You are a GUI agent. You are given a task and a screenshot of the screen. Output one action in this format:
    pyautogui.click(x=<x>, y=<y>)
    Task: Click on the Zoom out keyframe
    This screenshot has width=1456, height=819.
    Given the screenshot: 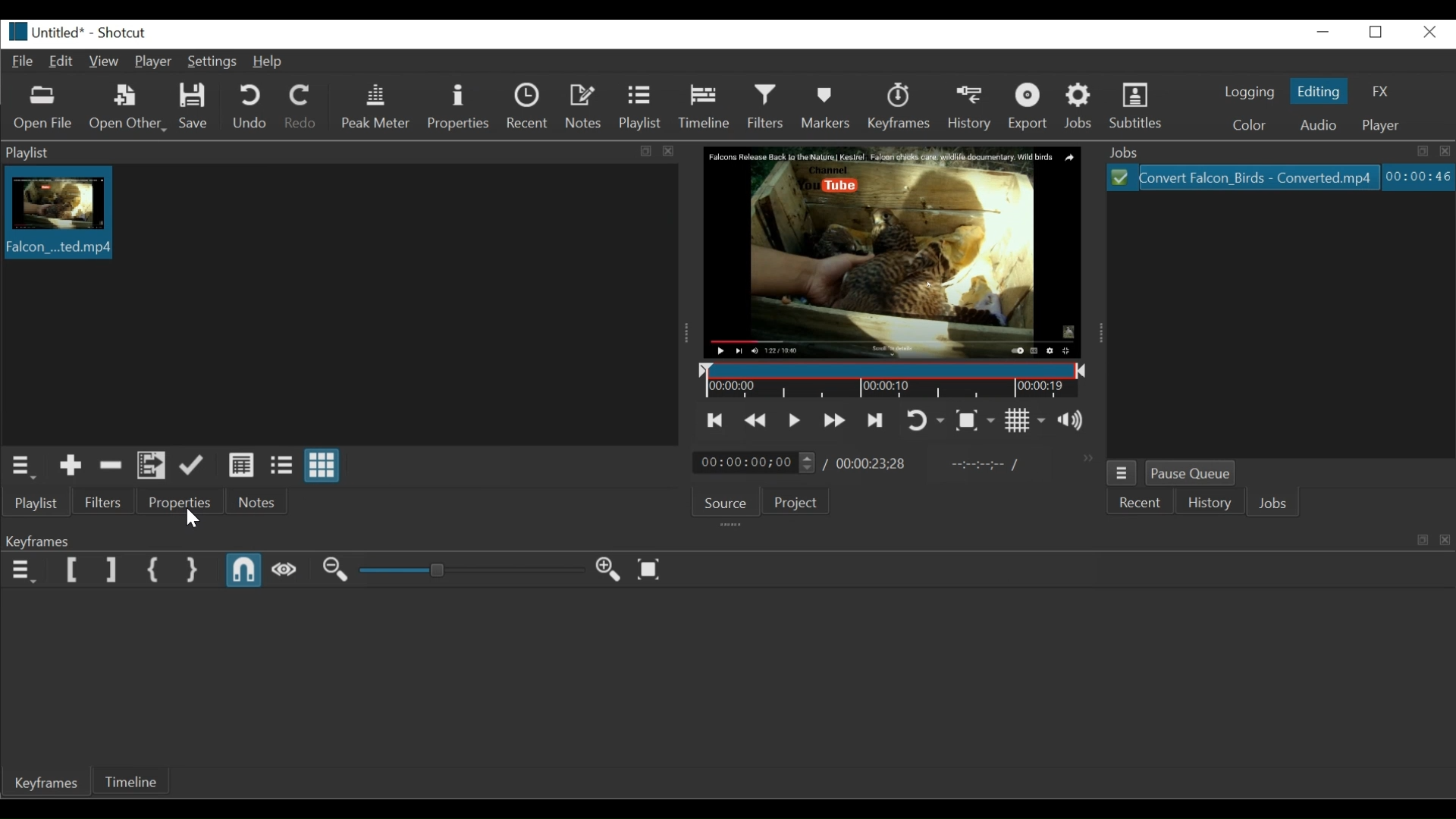 What is the action you would take?
    pyautogui.click(x=337, y=572)
    